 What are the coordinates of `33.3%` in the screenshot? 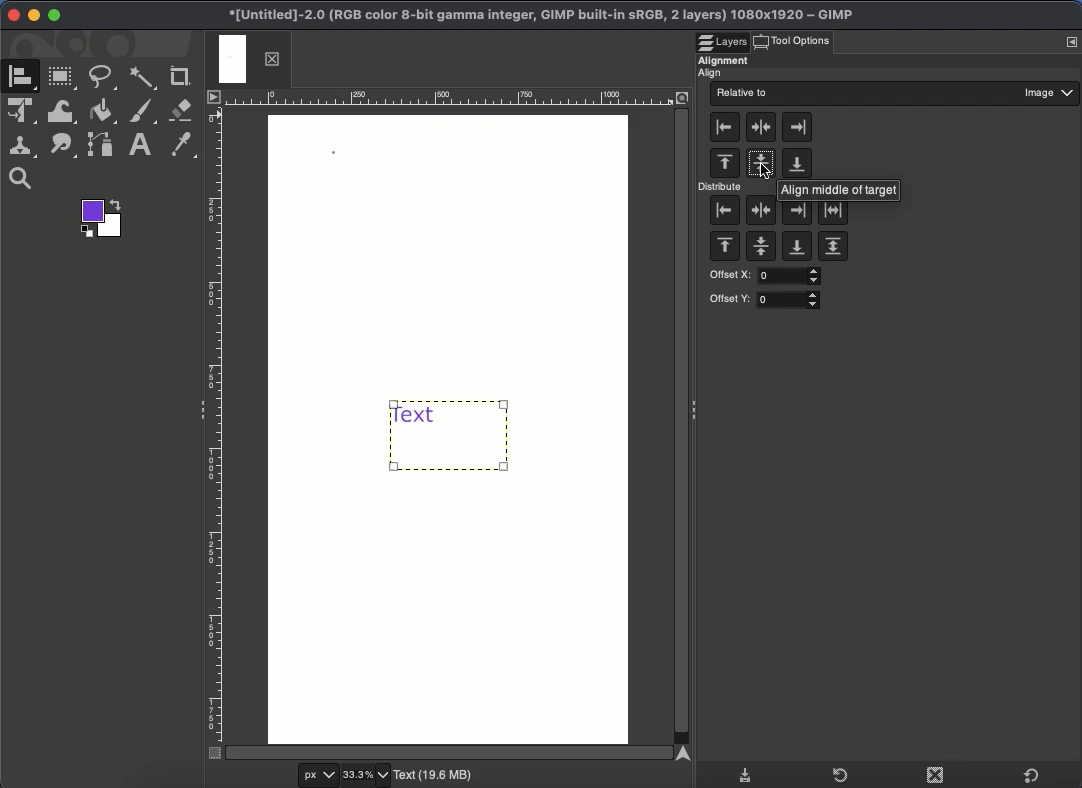 It's located at (367, 775).